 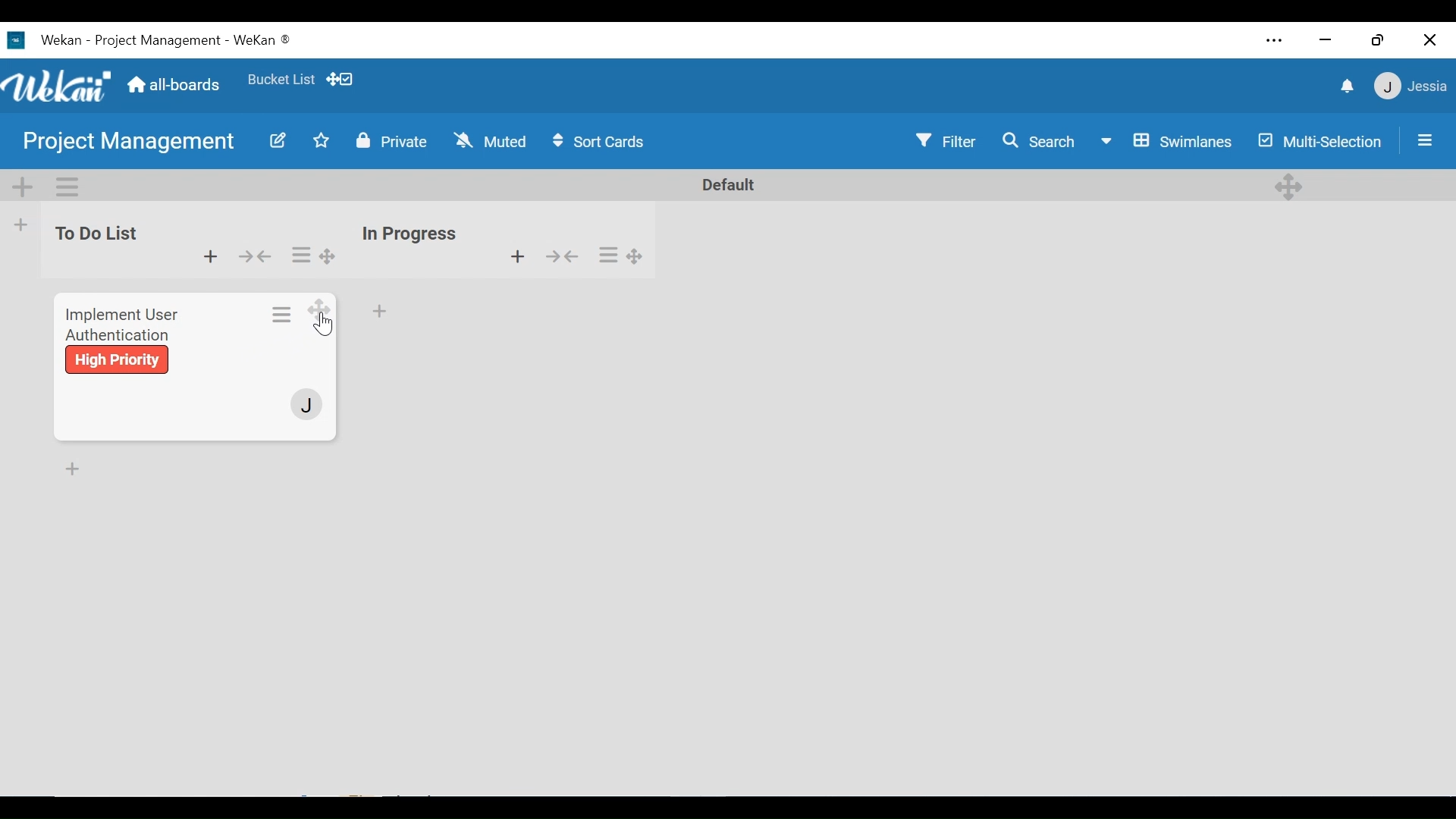 I want to click on cursor, so click(x=326, y=327).